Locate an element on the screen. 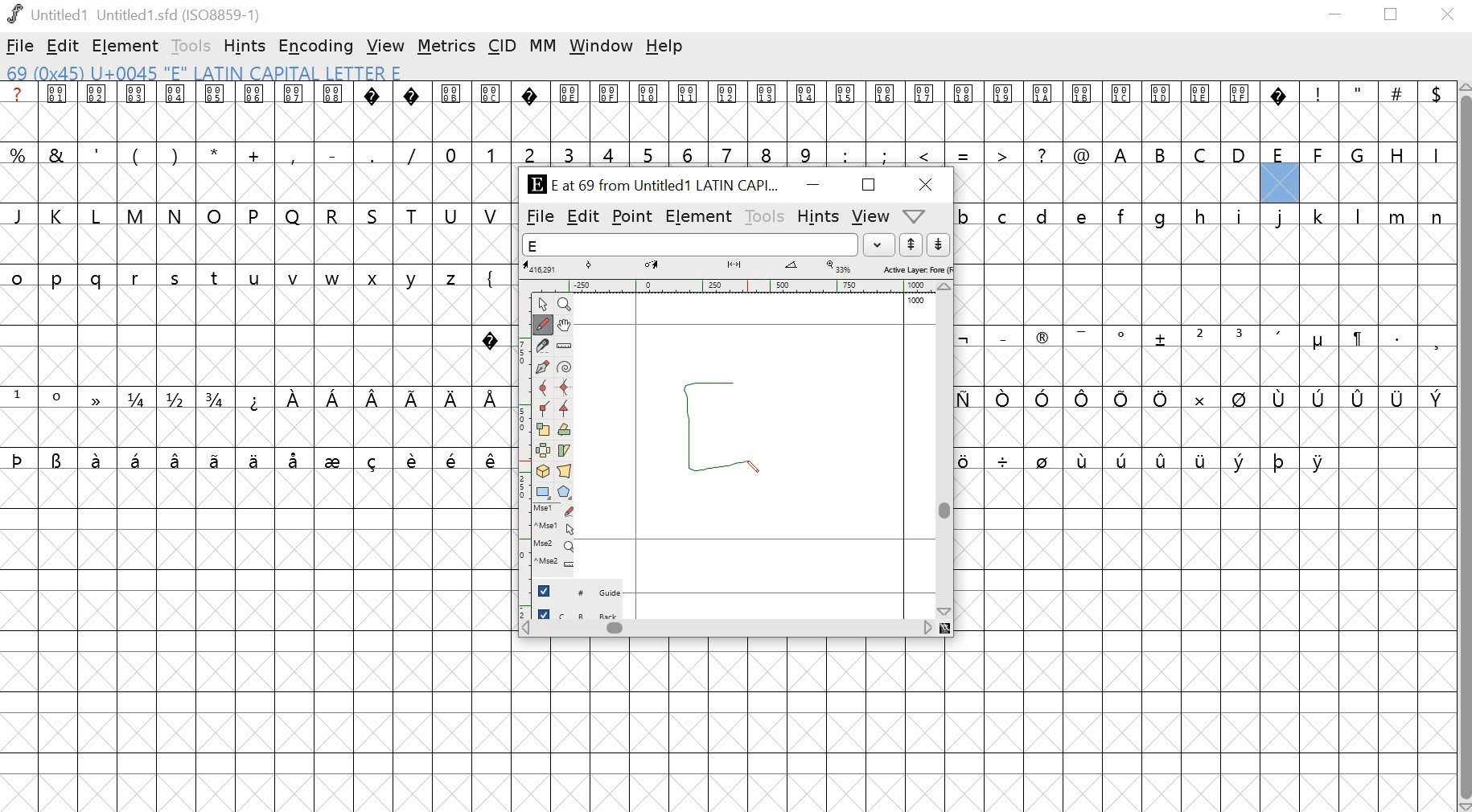 The image size is (1472, 812). restore down is located at coordinates (1392, 15).